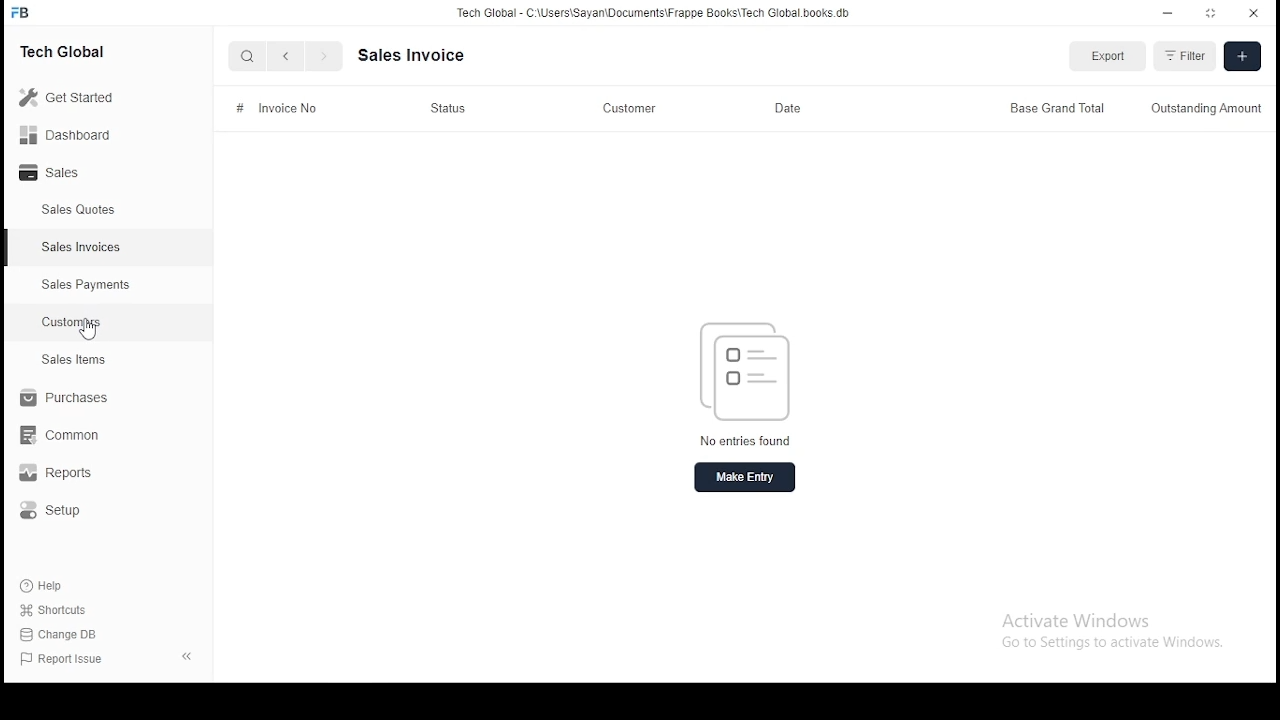 The width and height of the screenshot is (1280, 720). What do you see at coordinates (65, 658) in the screenshot?
I see `Report issue` at bounding box center [65, 658].